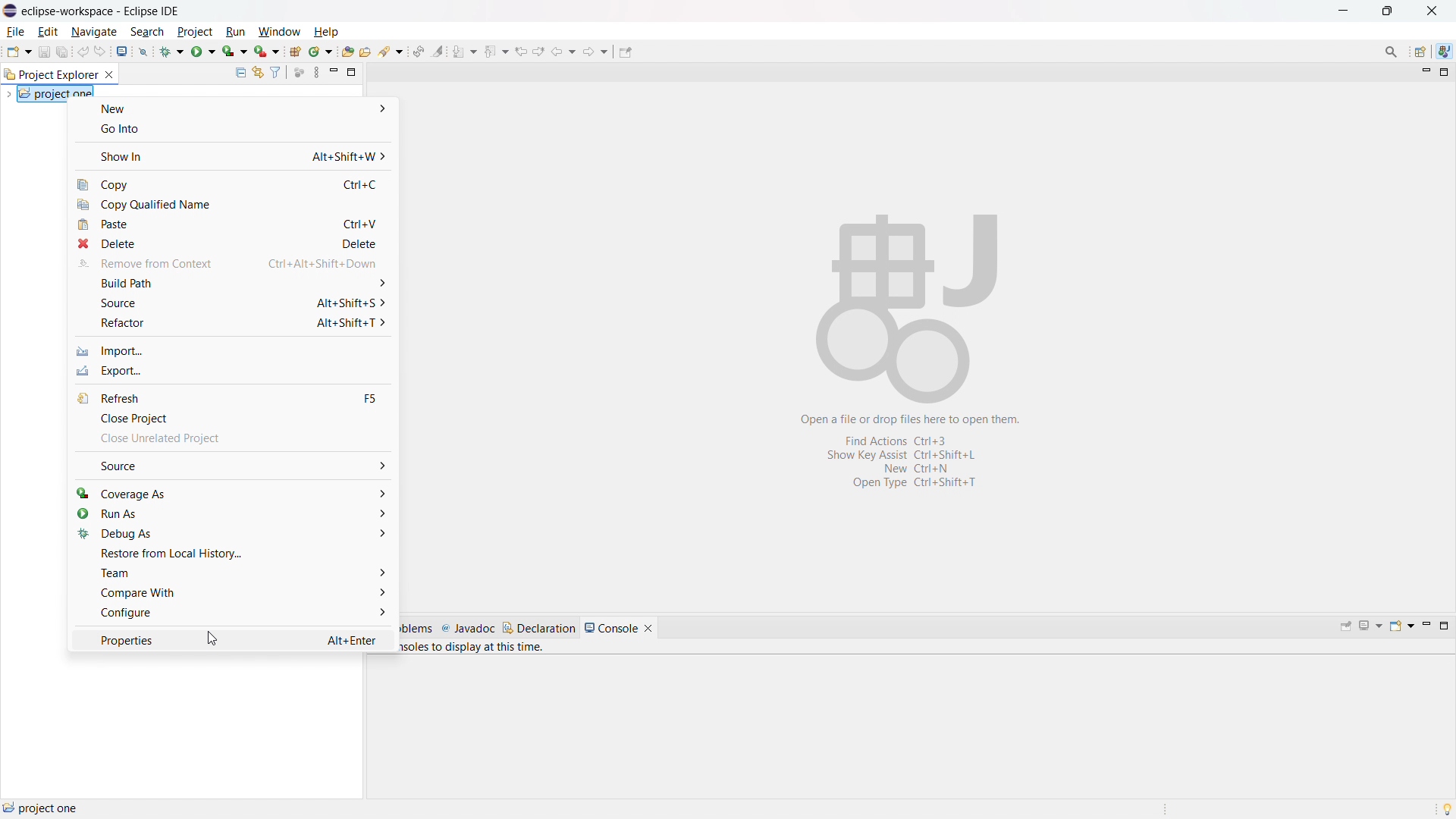  Describe the element at coordinates (563, 50) in the screenshot. I see `back` at that location.